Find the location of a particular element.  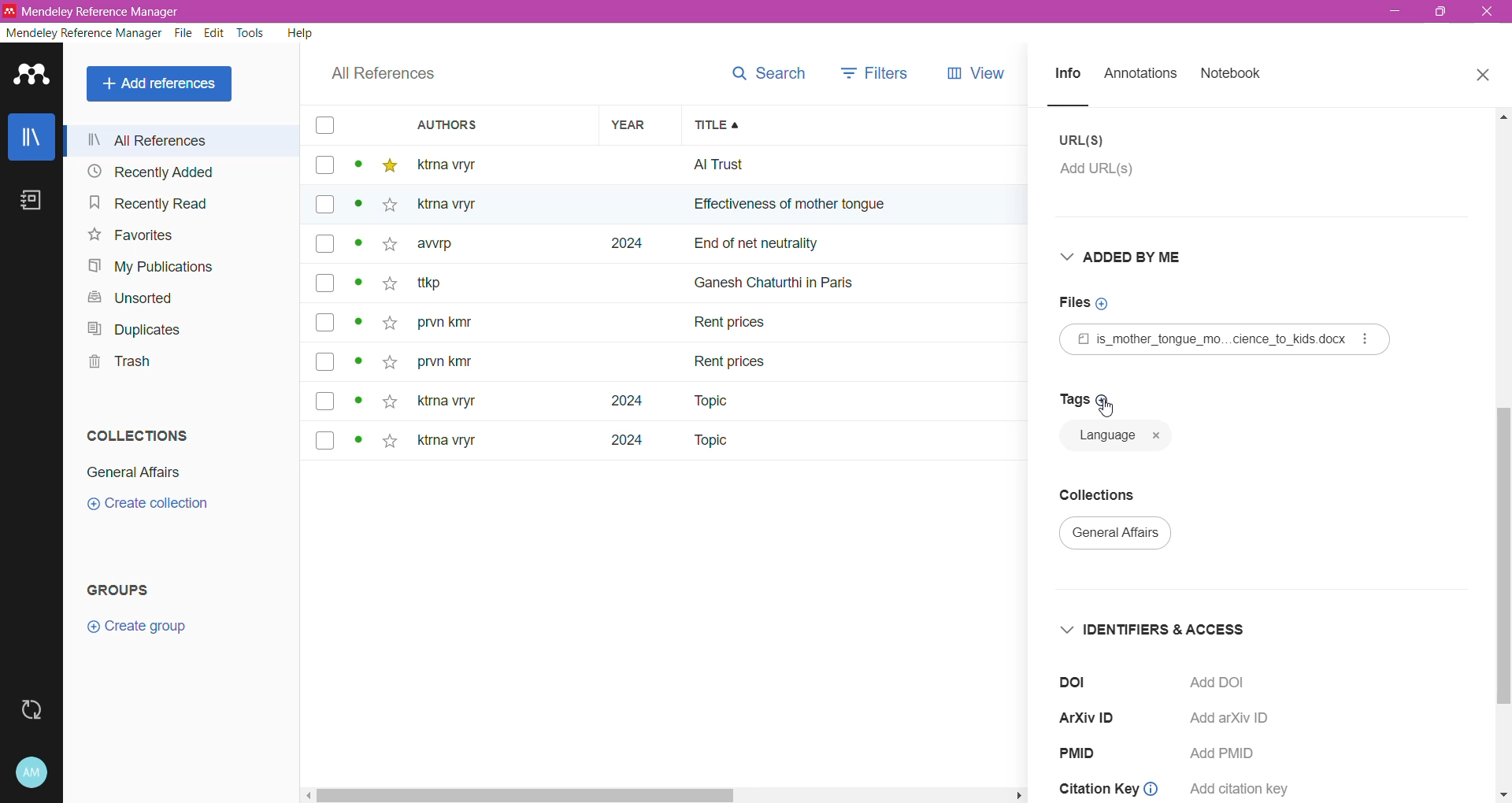

Citation Key is located at coordinates (1112, 783).